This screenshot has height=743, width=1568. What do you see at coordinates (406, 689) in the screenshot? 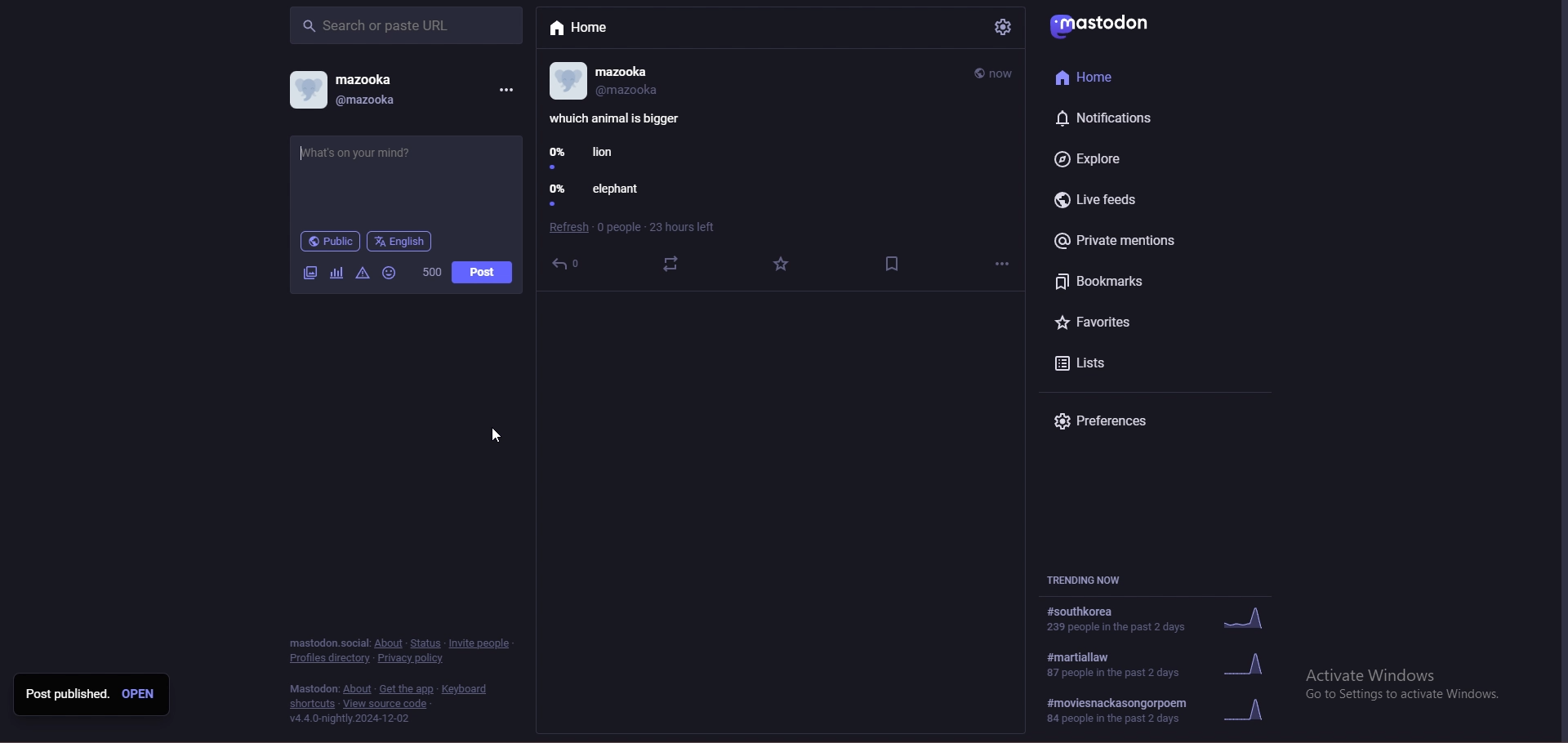
I see `get the app` at bounding box center [406, 689].